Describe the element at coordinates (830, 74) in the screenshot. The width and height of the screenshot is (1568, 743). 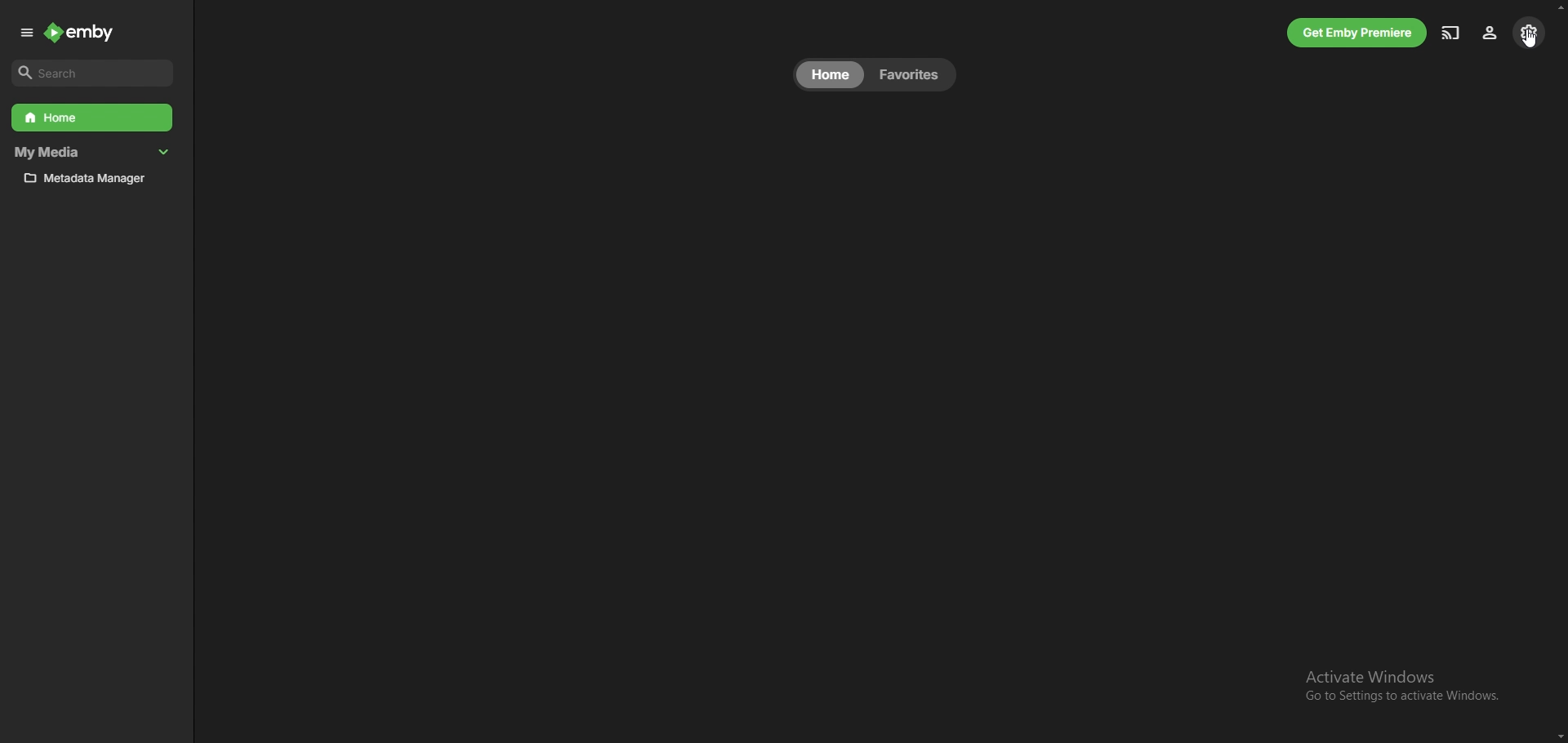
I see `home` at that location.